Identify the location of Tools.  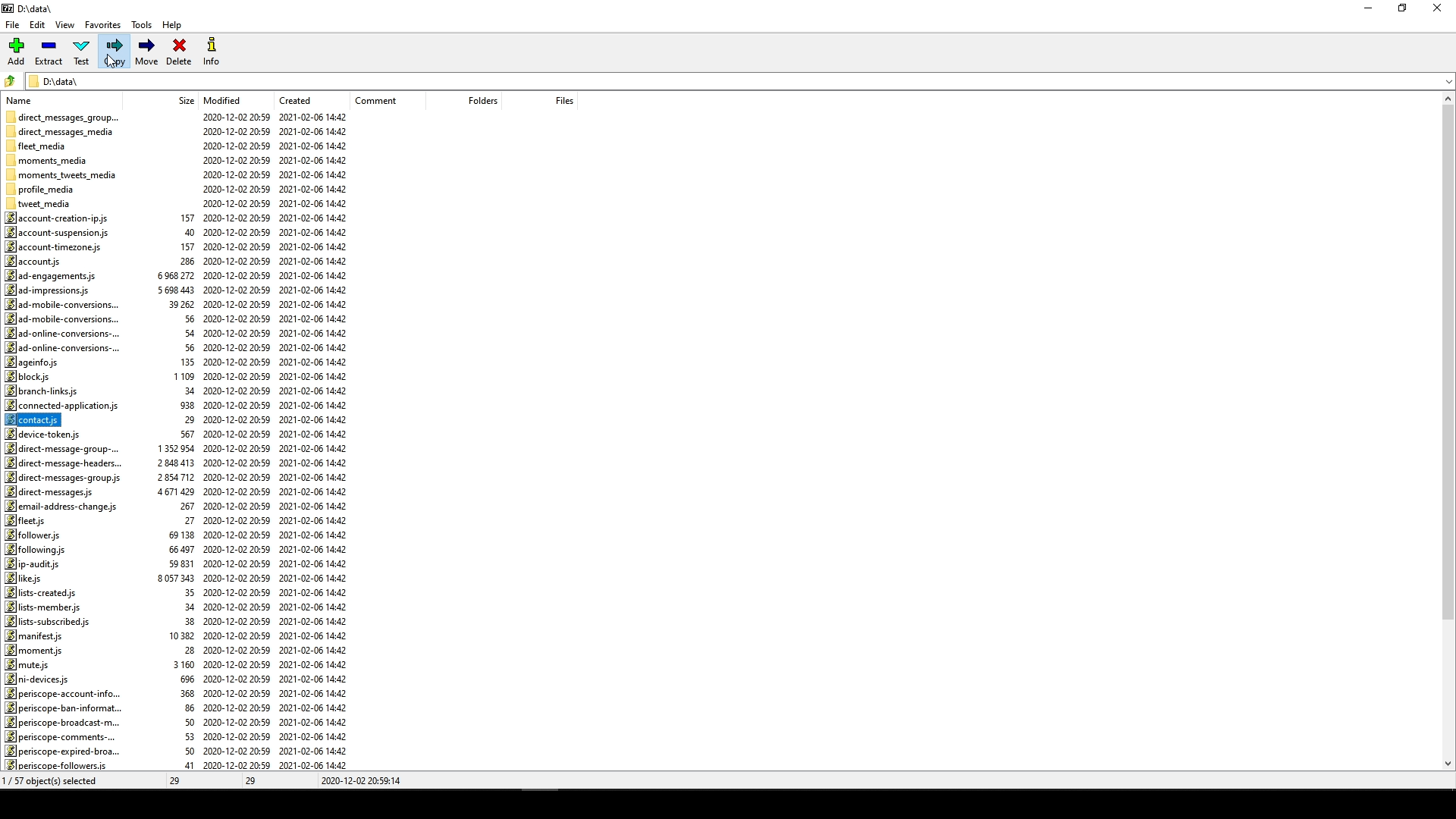
(140, 26).